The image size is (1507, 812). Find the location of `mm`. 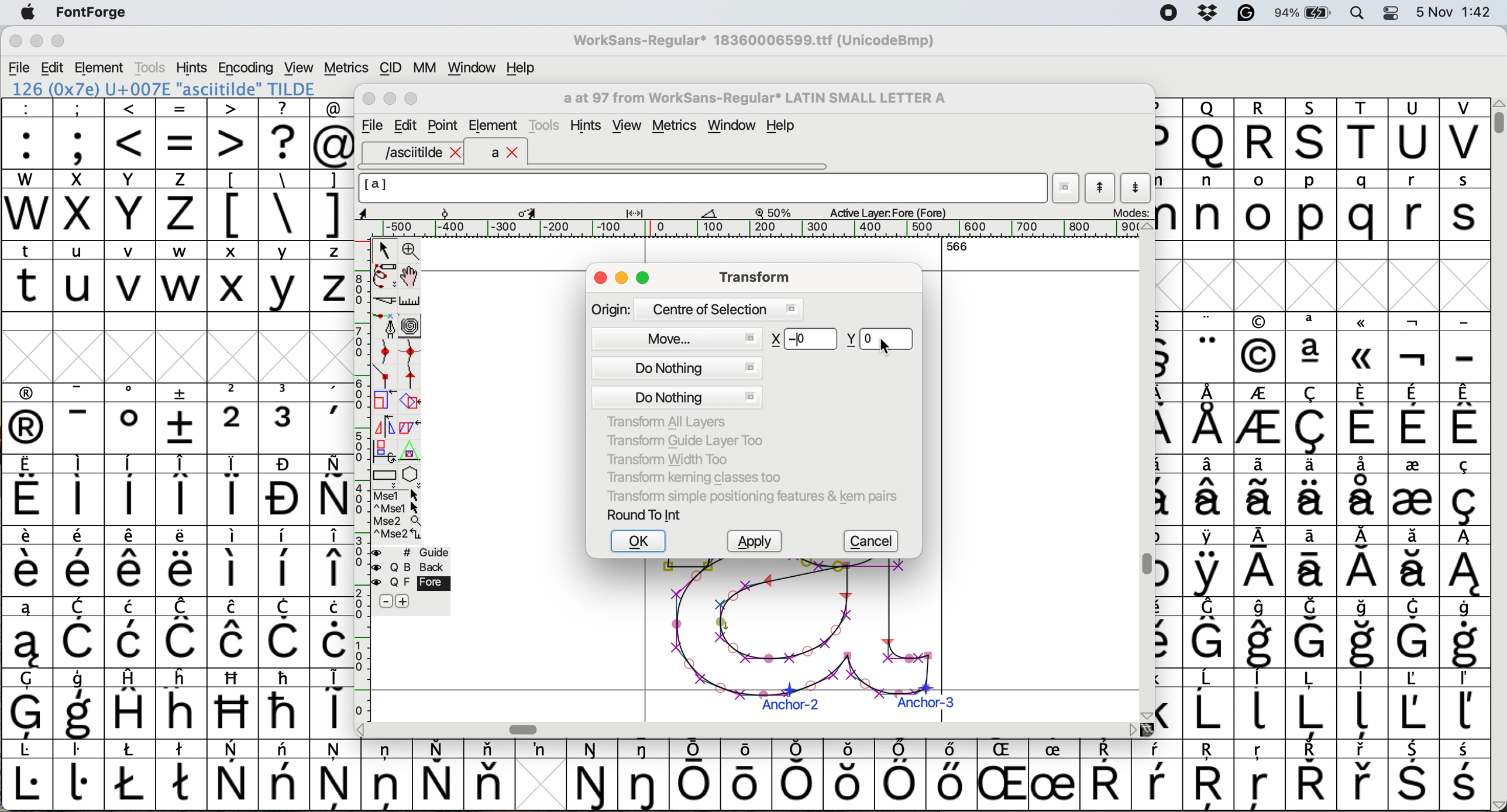

mm is located at coordinates (424, 67).